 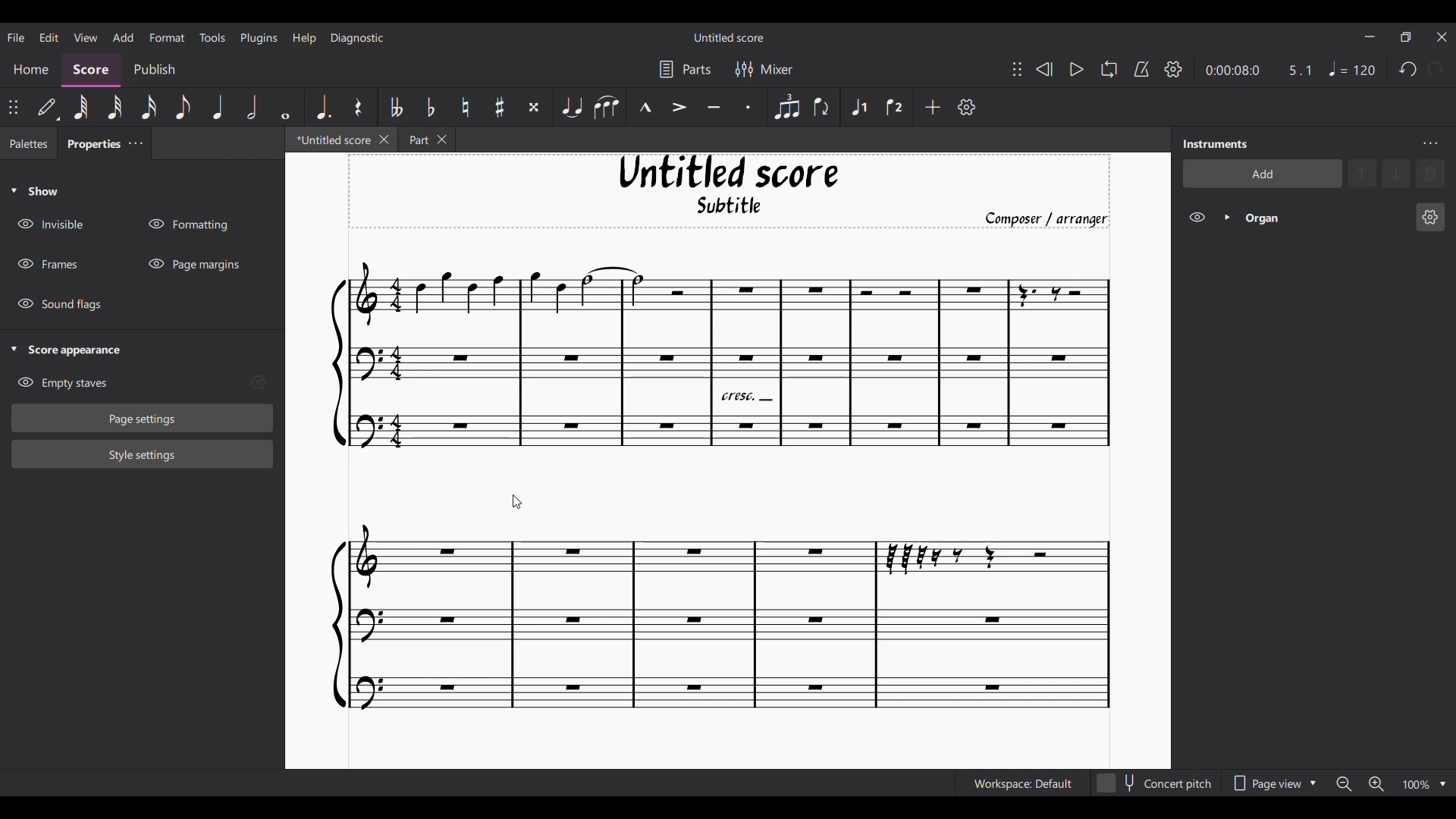 What do you see at coordinates (253, 106) in the screenshot?
I see `Half note` at bounding box center [253, 106].